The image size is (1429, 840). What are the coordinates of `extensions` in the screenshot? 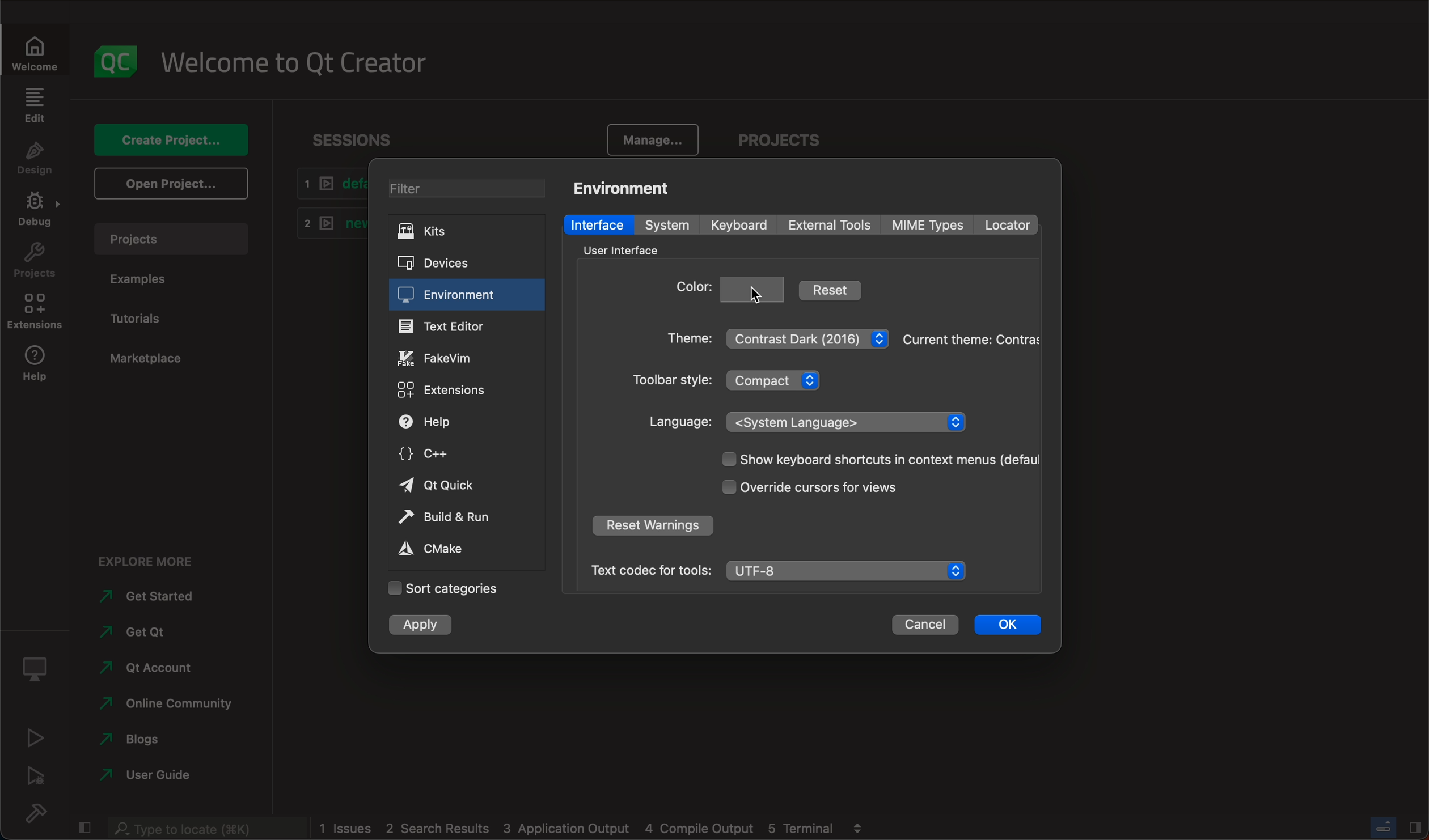 It's located at (38, 315).